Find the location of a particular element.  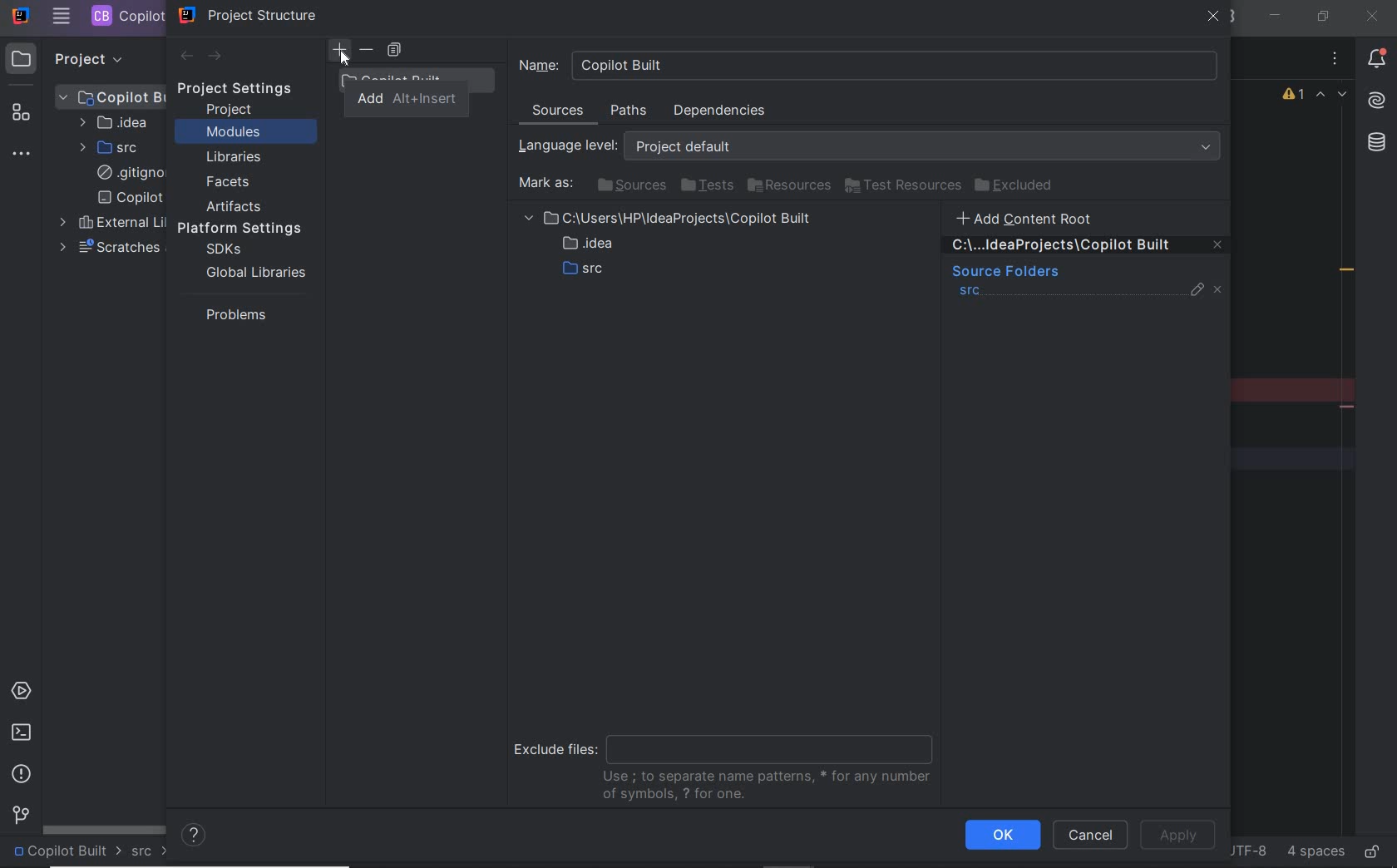

artifacts is located at coordinates (238, 206).